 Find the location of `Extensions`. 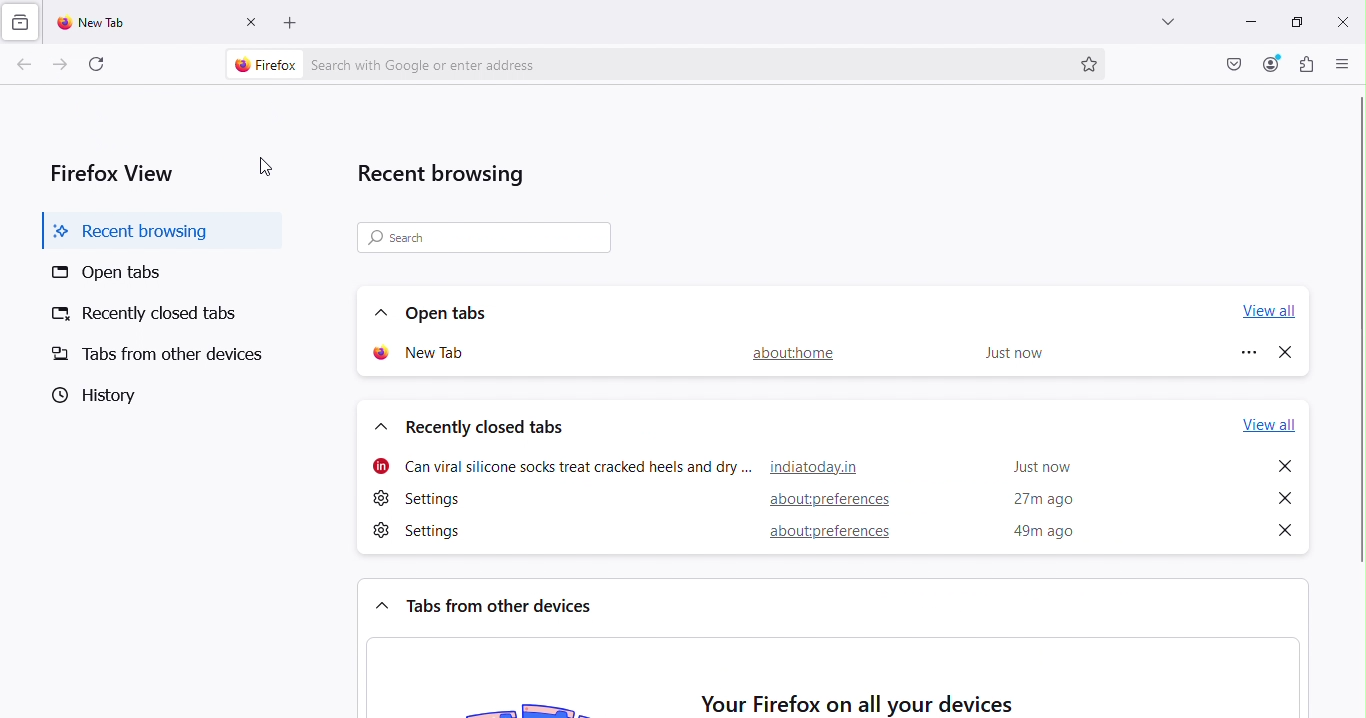

Extensions is located at coordinates (1303, 64).